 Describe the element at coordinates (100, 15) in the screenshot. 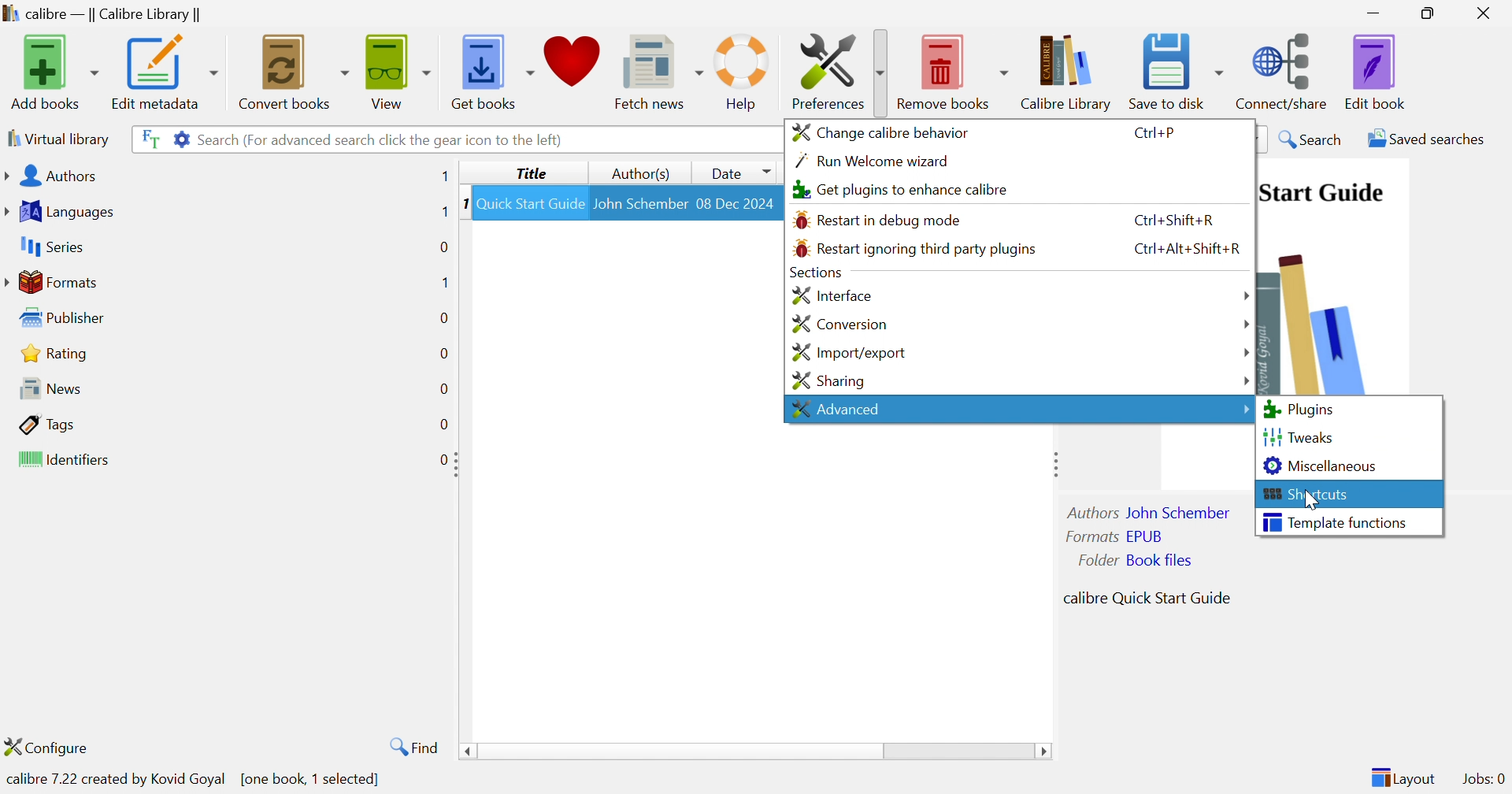

I see `calibre - || Calibre Library ||` at that location.